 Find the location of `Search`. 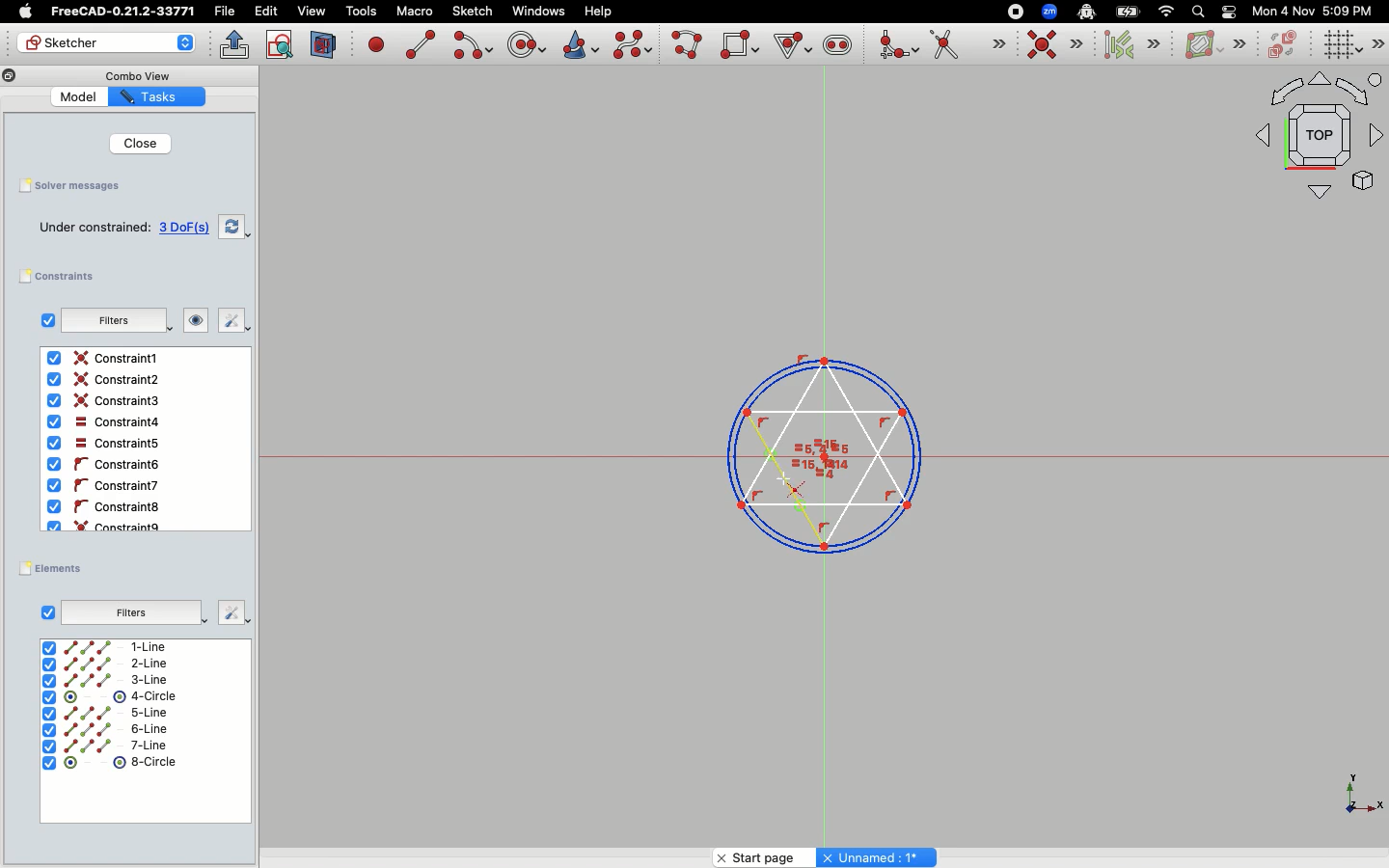

Search is located at coordinates (1197, 11).